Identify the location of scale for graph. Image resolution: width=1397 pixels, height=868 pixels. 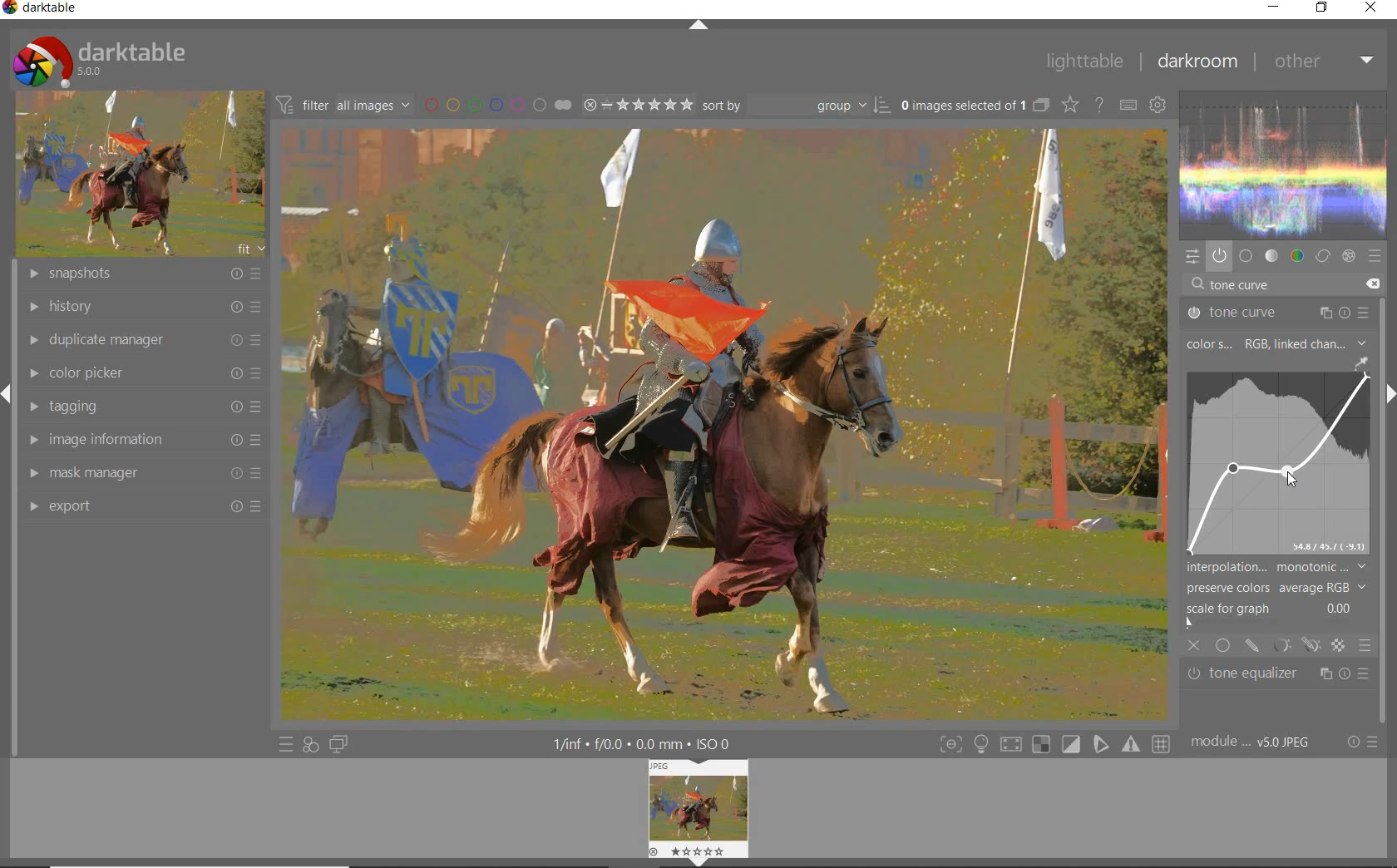
(1273, 609).